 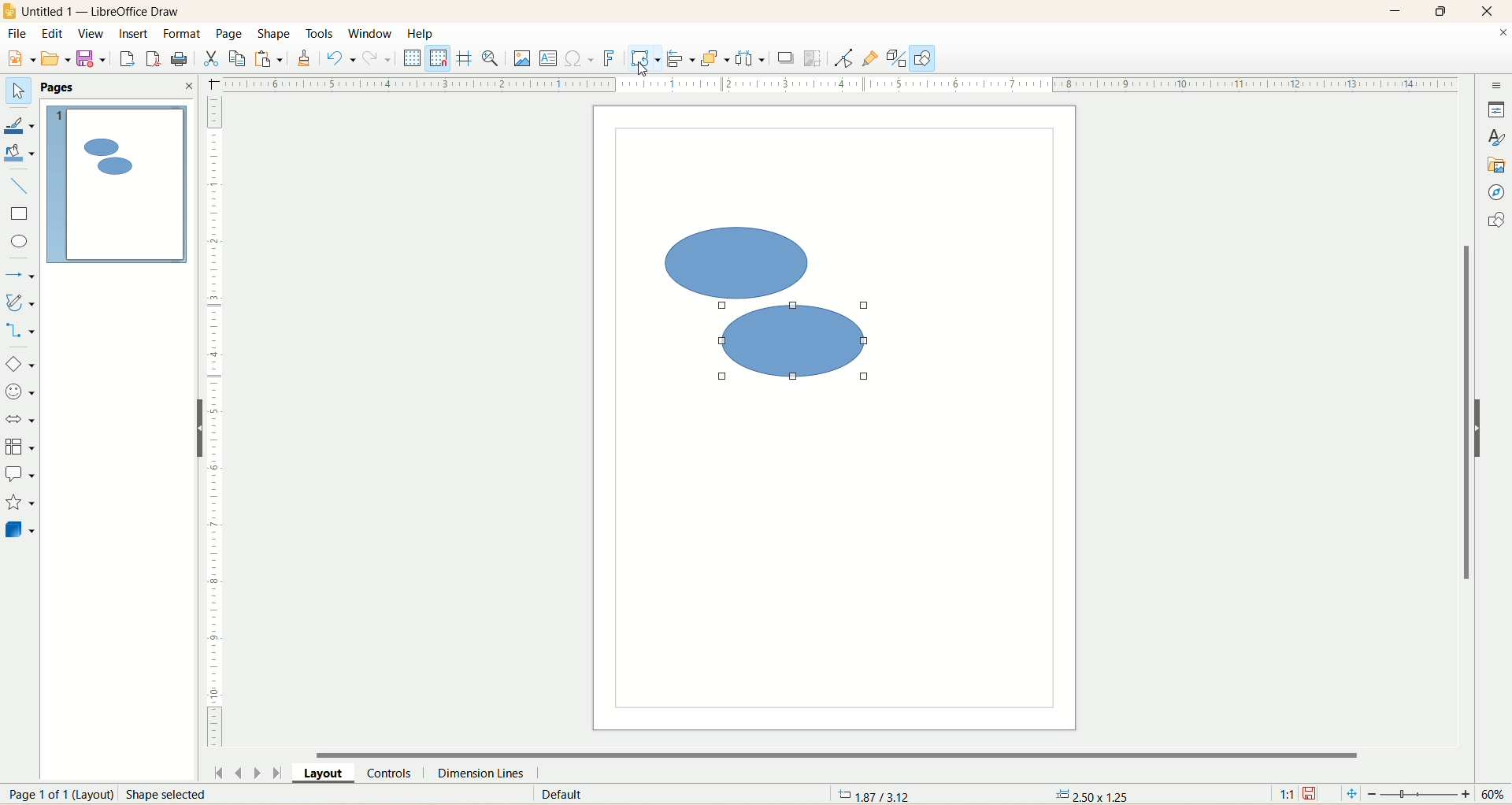 What do you see at coordinates (842, 85) in the screenshot?
I see `scale bar` at bounding box center [842, 85].